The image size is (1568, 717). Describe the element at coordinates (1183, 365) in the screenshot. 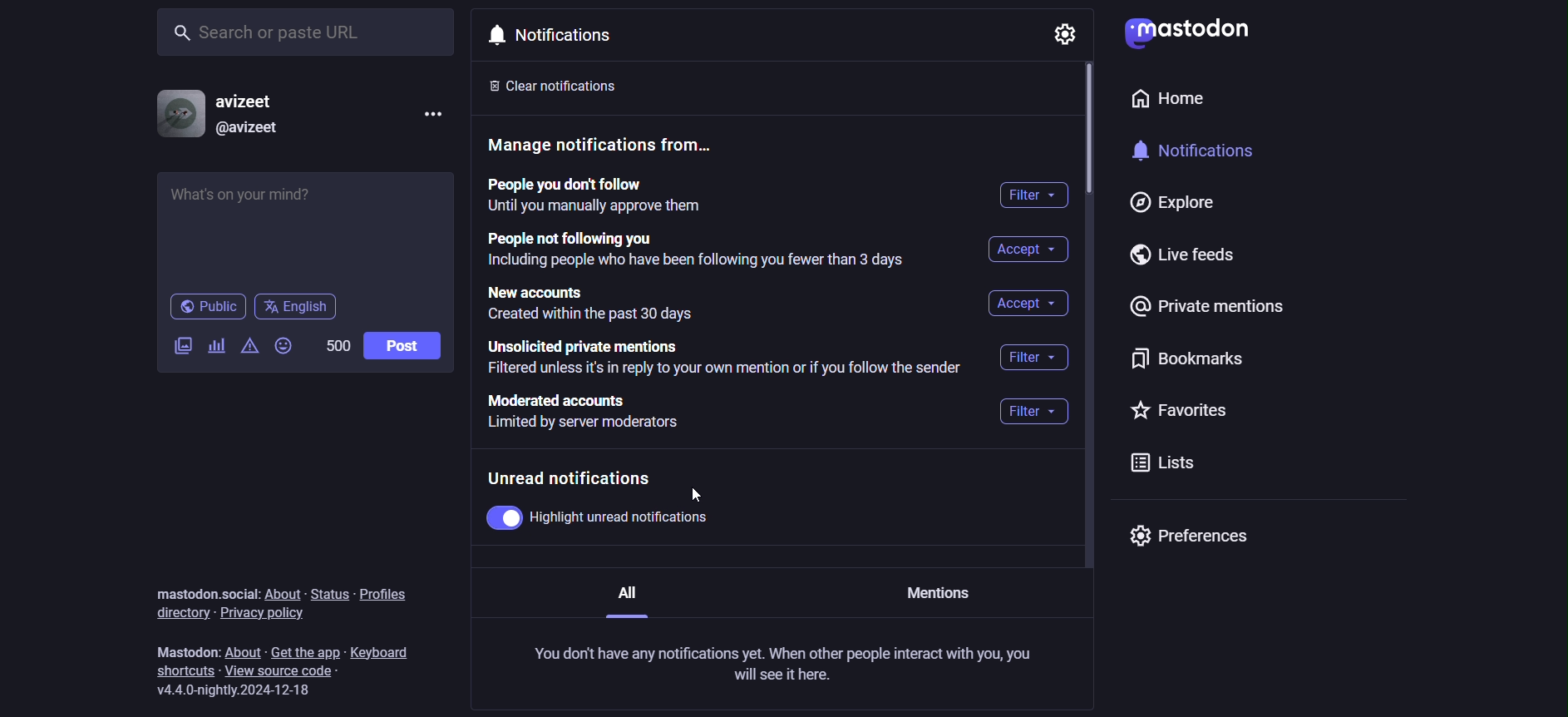

I see `bookmarks` at that location.